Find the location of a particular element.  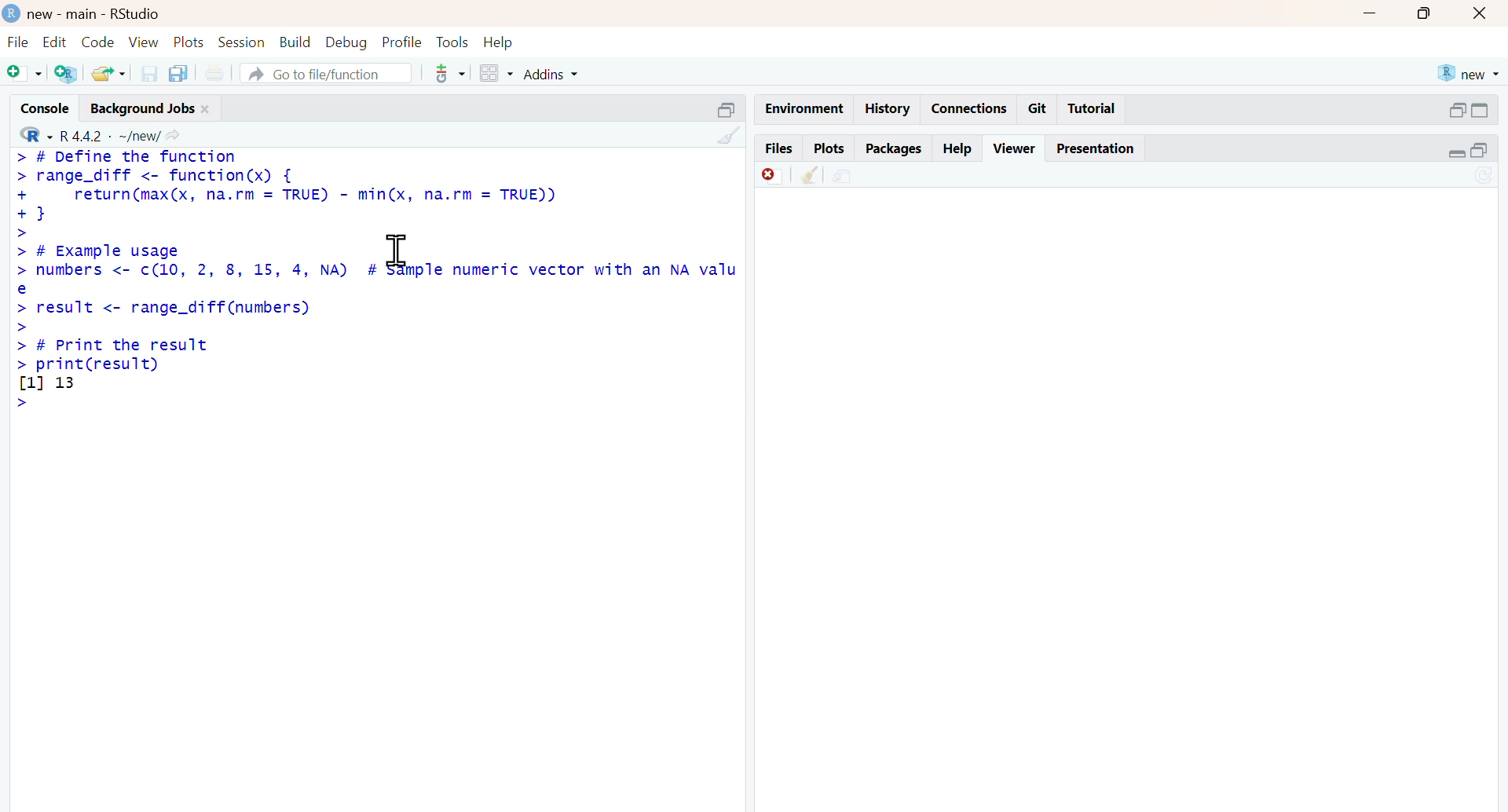

cursor is located at coordinates (397, 251).